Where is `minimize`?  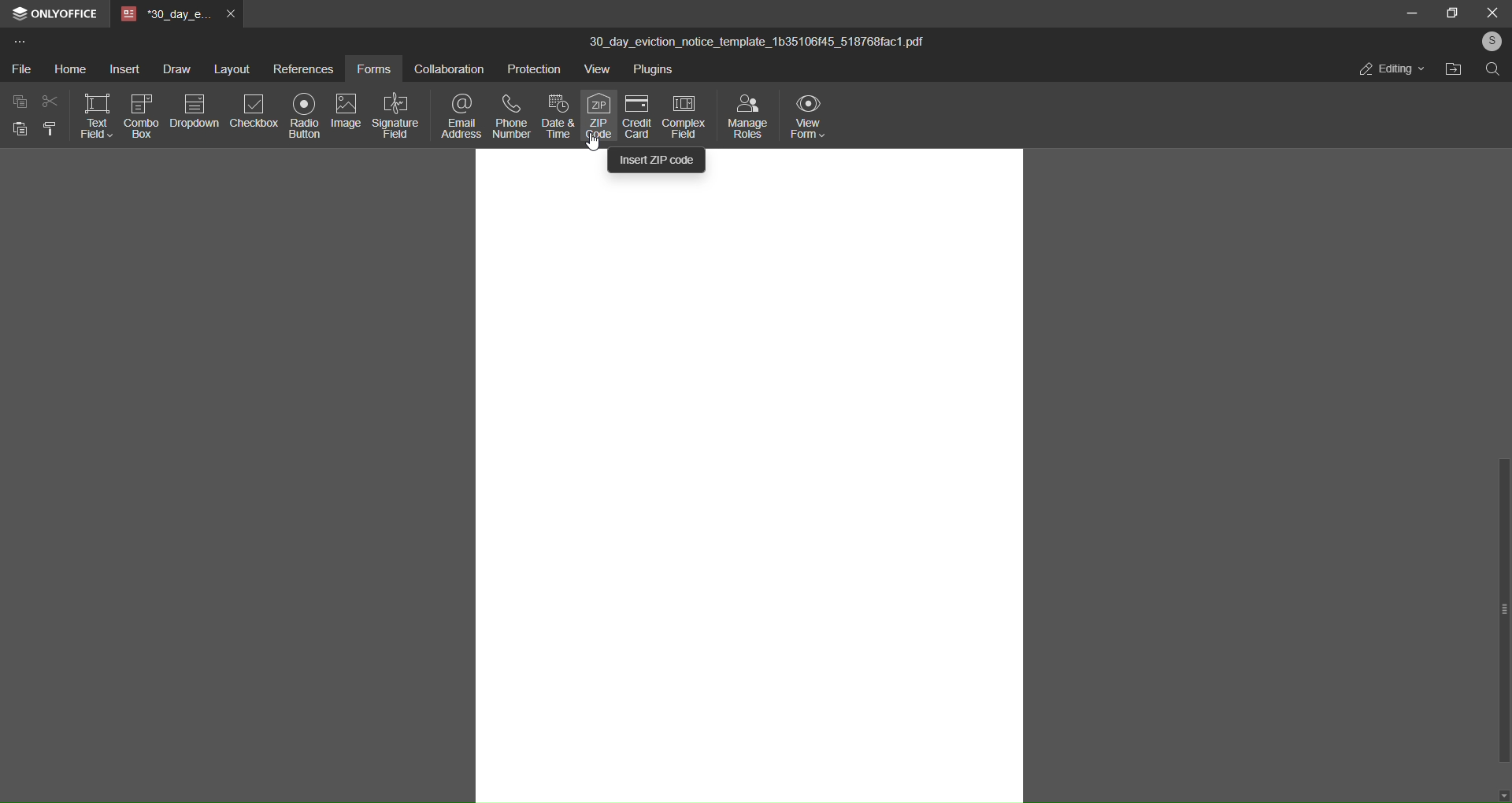 minimize is located at coordinates (1410, 11).